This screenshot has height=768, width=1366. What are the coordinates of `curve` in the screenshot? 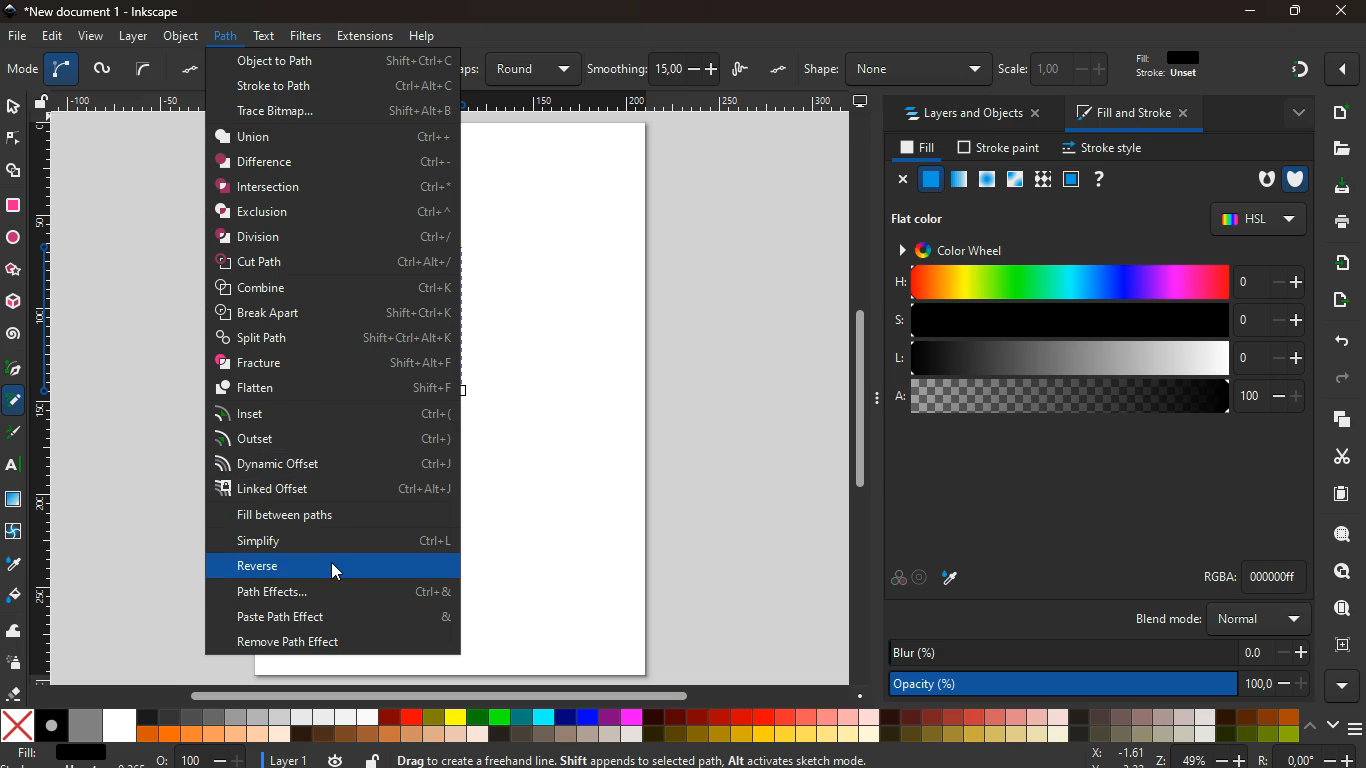 It's located at (61, 70).